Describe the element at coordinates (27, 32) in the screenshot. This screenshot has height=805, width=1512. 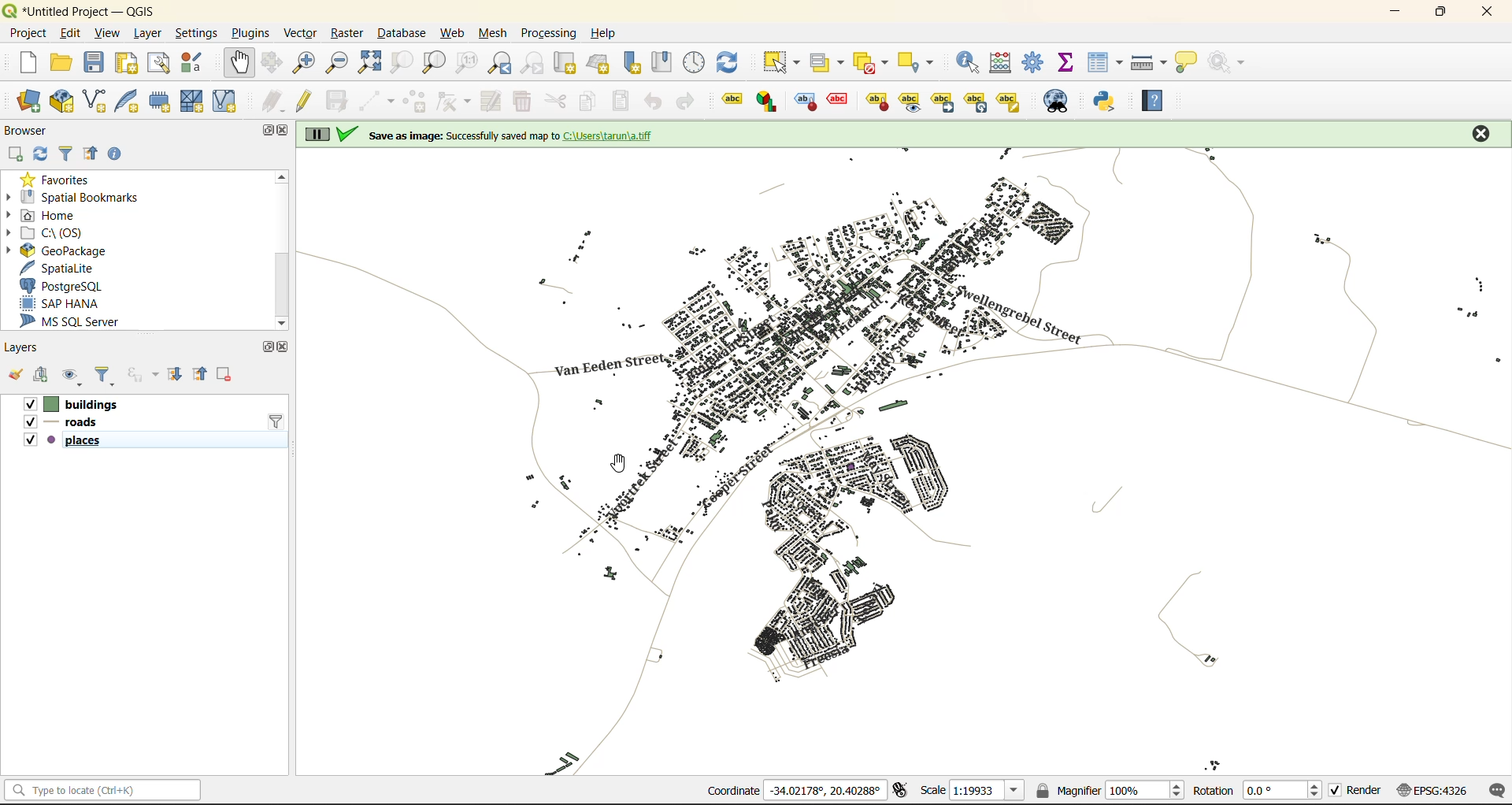
I see `project` at that location.